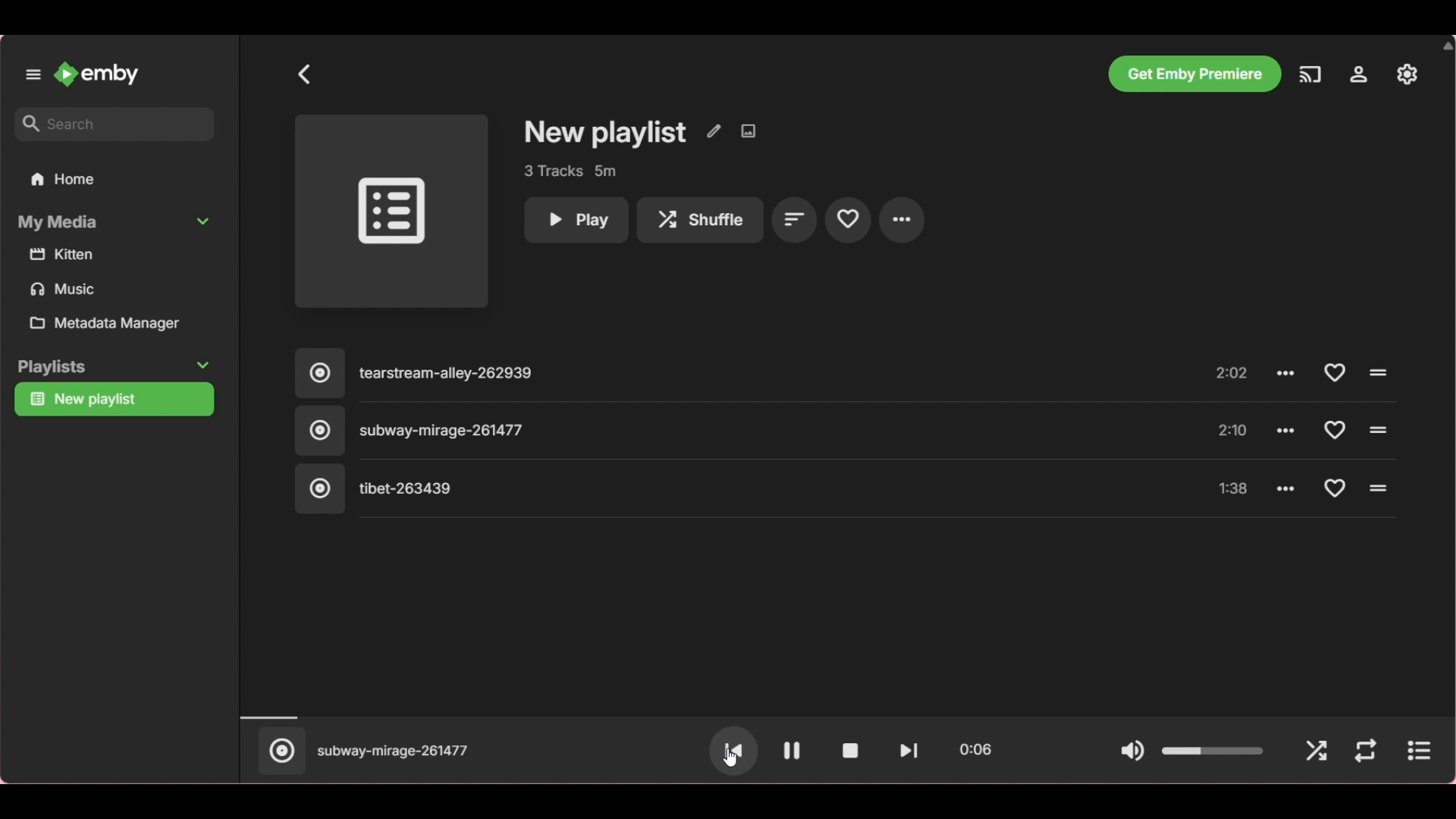 The width and height of the screenshot is (1456, 819). Describe the element at coordinates (1234, 490) in the screenshot. I see `Music length of song` at that location.